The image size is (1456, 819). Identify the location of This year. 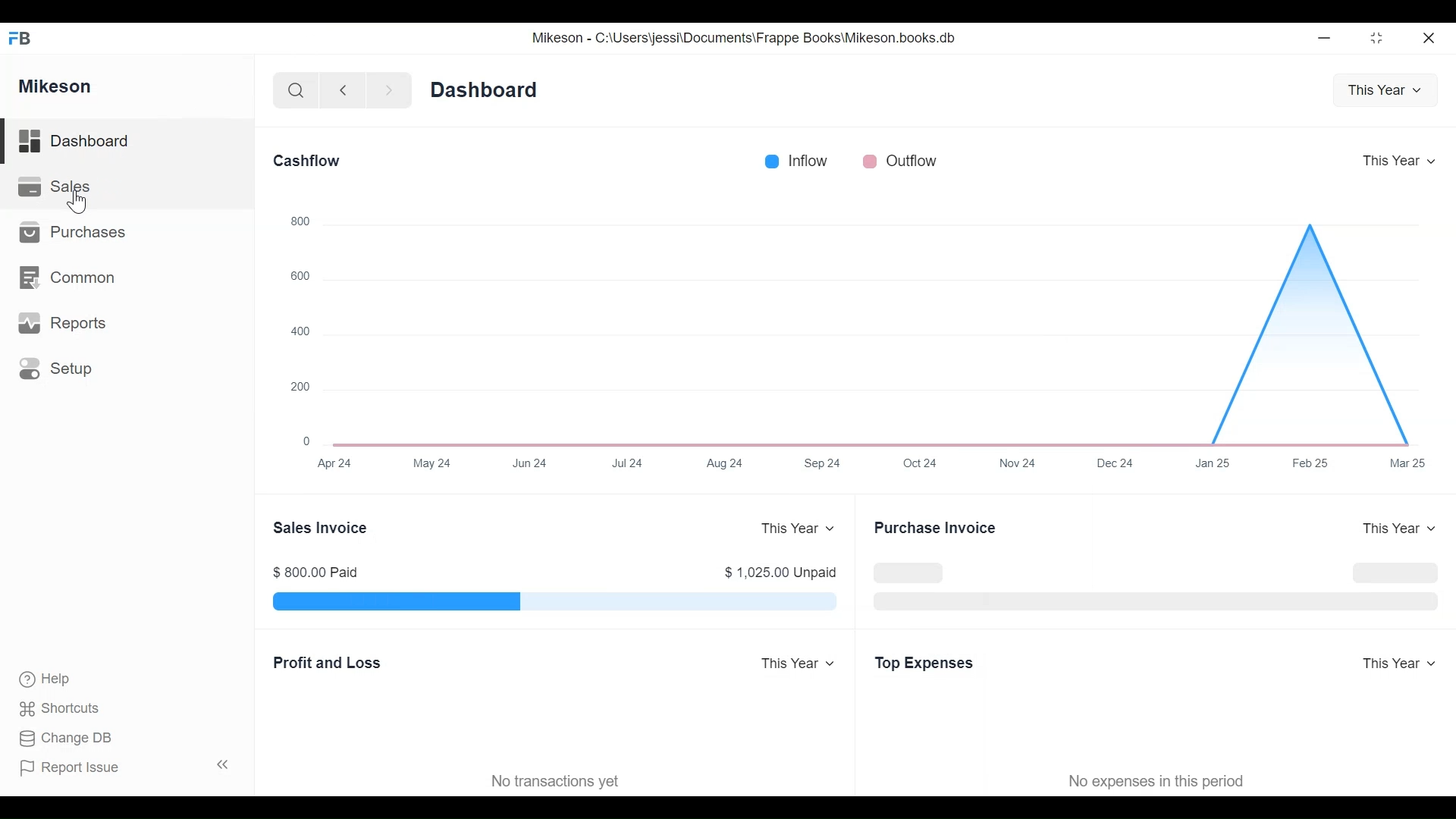
(1403, 664).